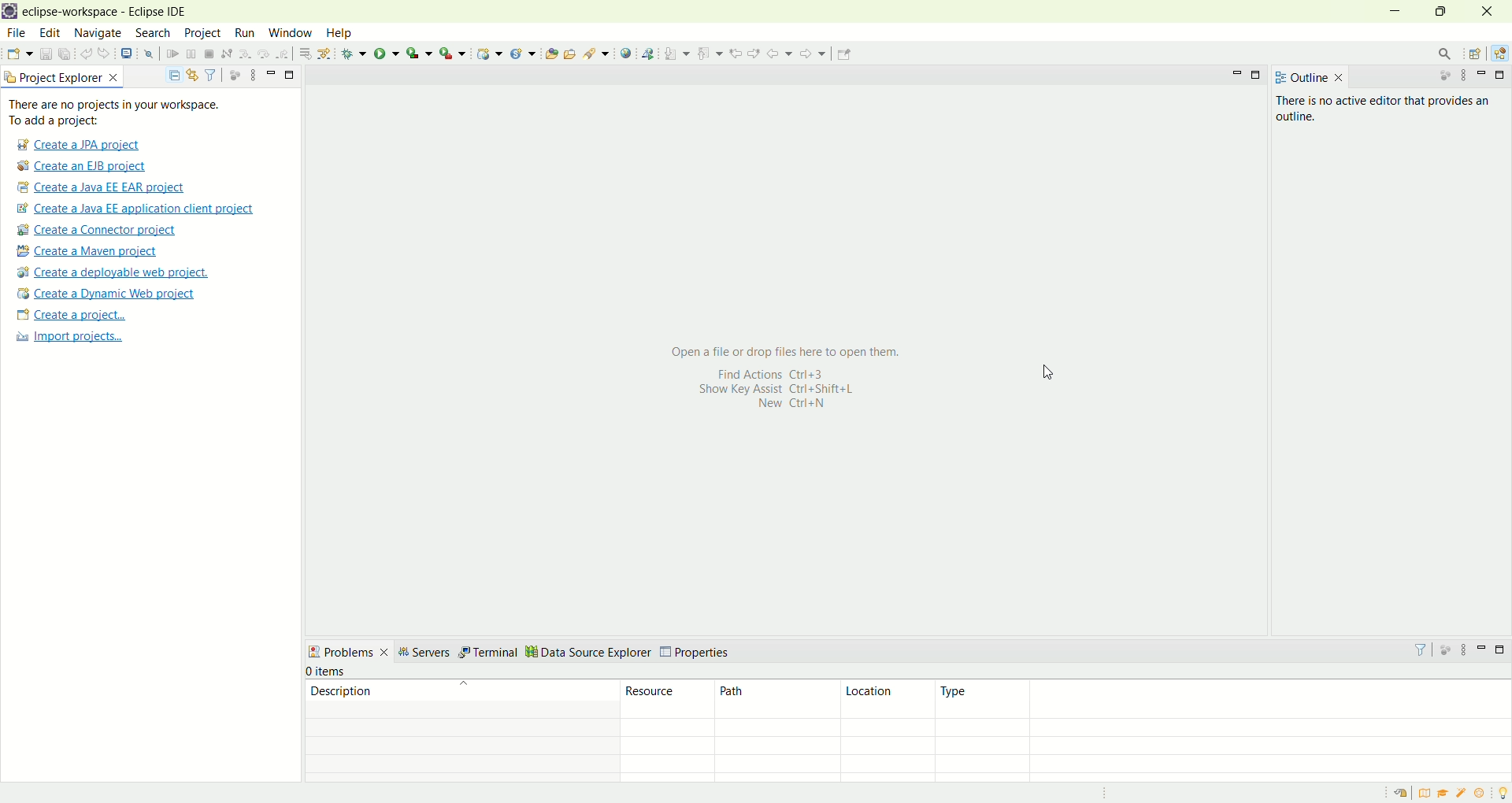  What do you see at coordinates (350, 650) in the screenshot?
I see `problems` at bounding box center [350, 650].